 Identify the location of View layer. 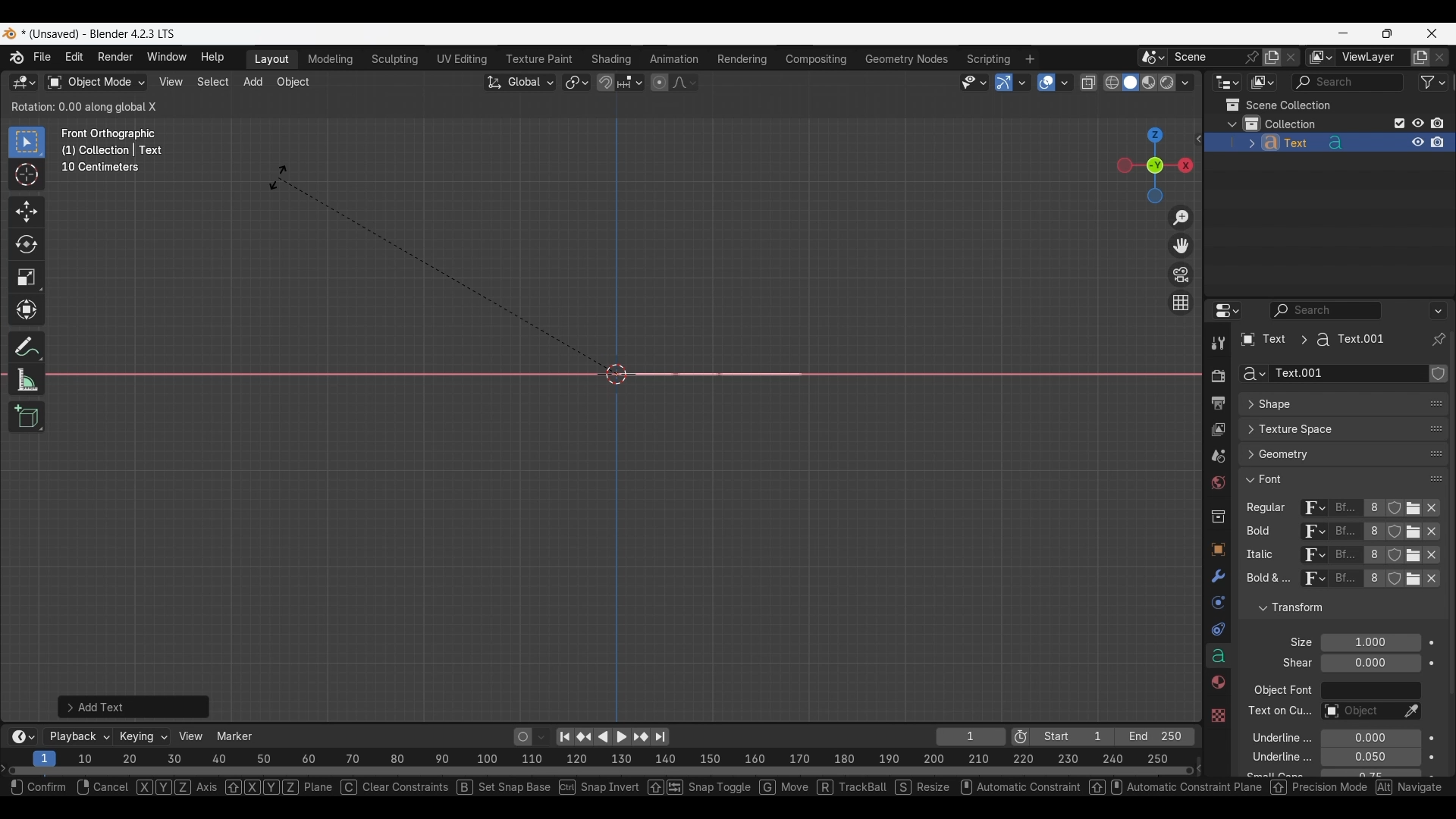
(1217, 431).